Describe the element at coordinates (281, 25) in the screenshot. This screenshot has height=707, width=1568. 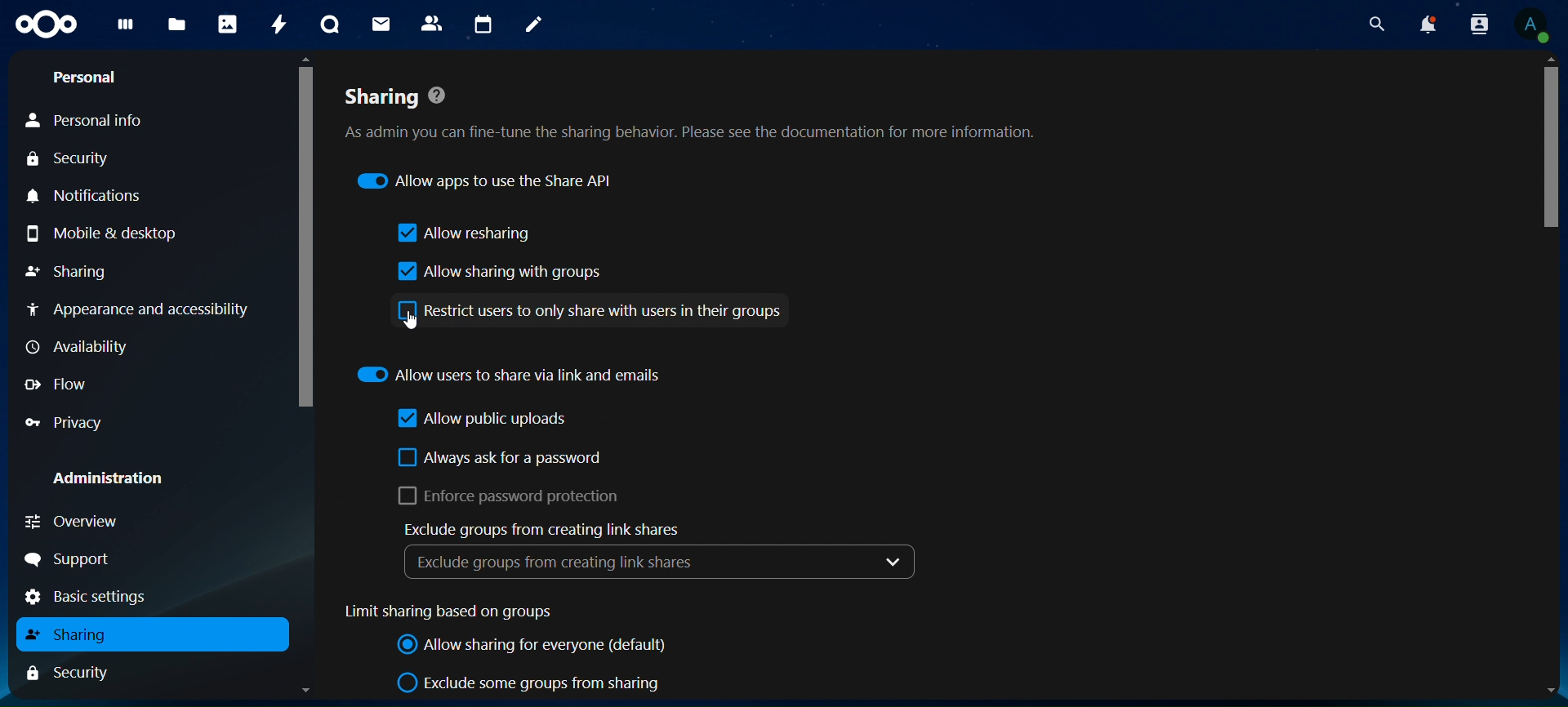
I see `activity` at that location.